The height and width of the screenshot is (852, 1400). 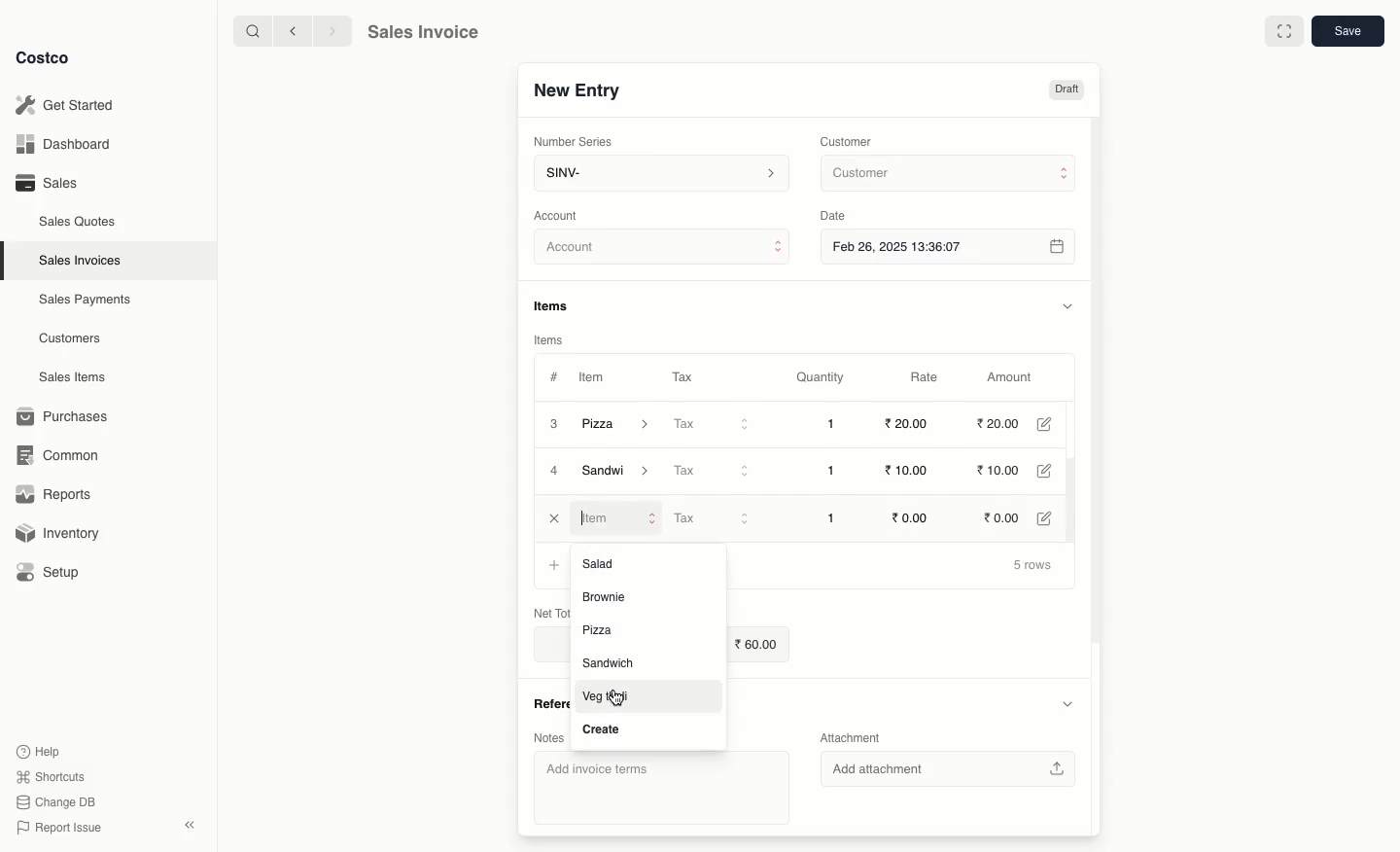 I want to click on Sales Items, so click(x=77, y=377).